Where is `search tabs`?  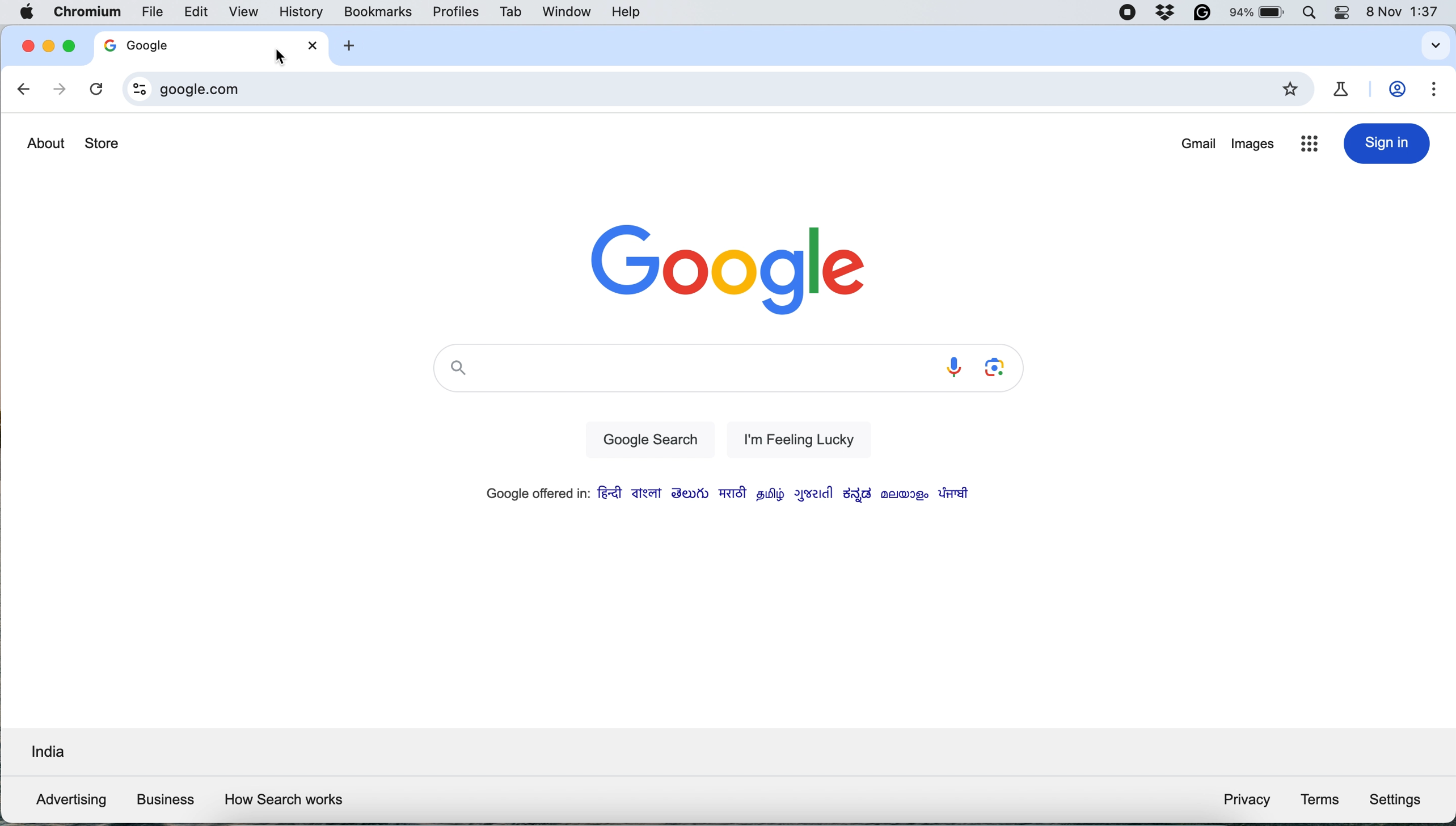 search tabs is located at coordinates (1433, 46).